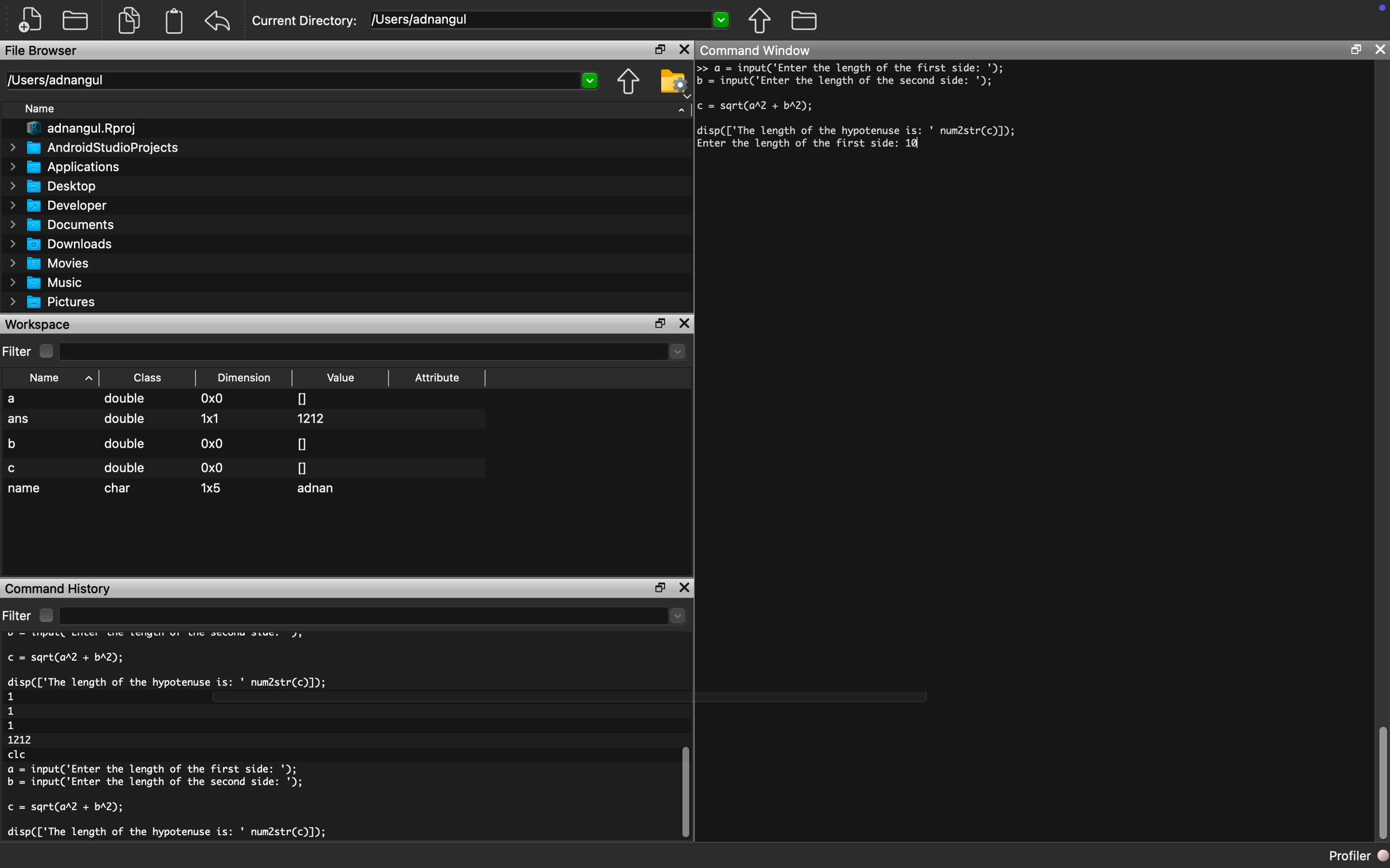  Describe the element at coordinates (121, 489) in the screenshot. I see `char` at that location.